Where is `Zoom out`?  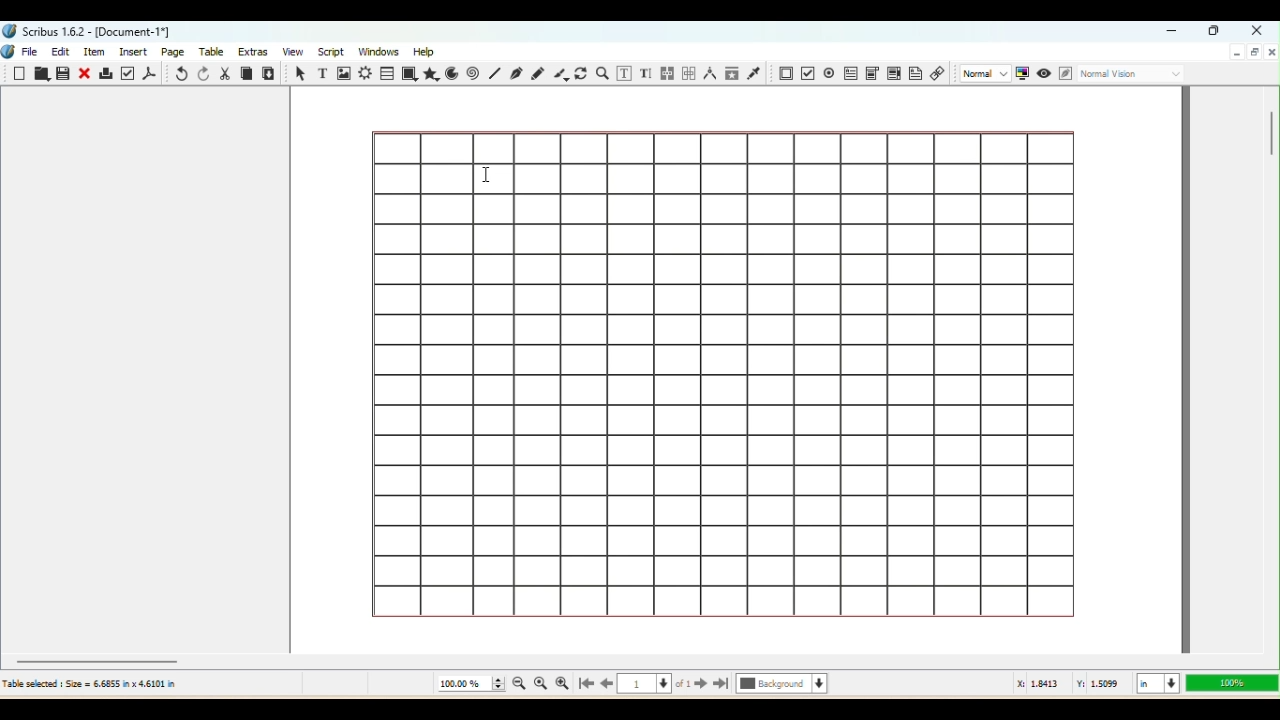 Zoom out is located at coordinates (516, 686).